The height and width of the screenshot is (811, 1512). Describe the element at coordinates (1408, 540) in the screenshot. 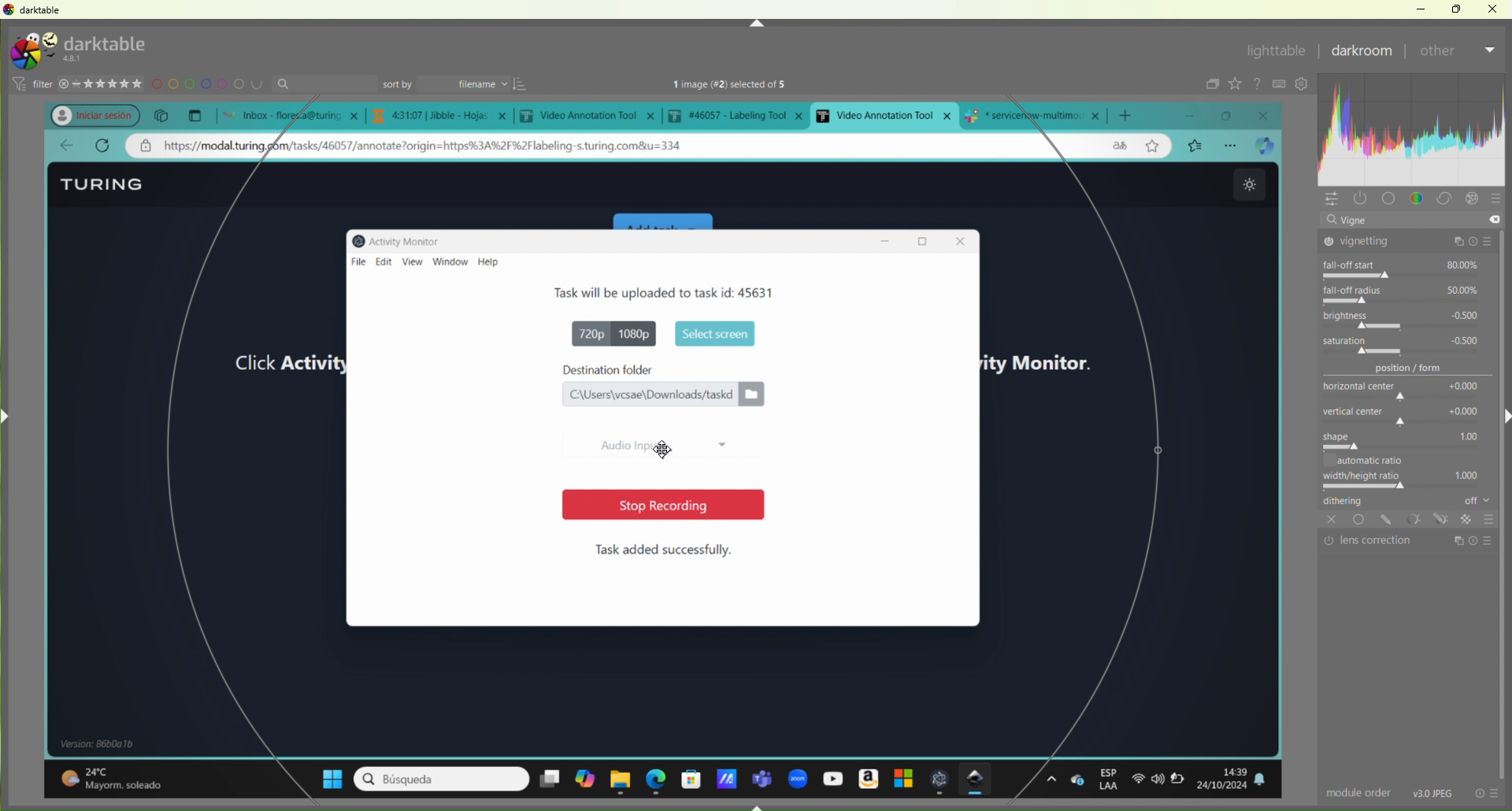

I see `lens correction` at that location.